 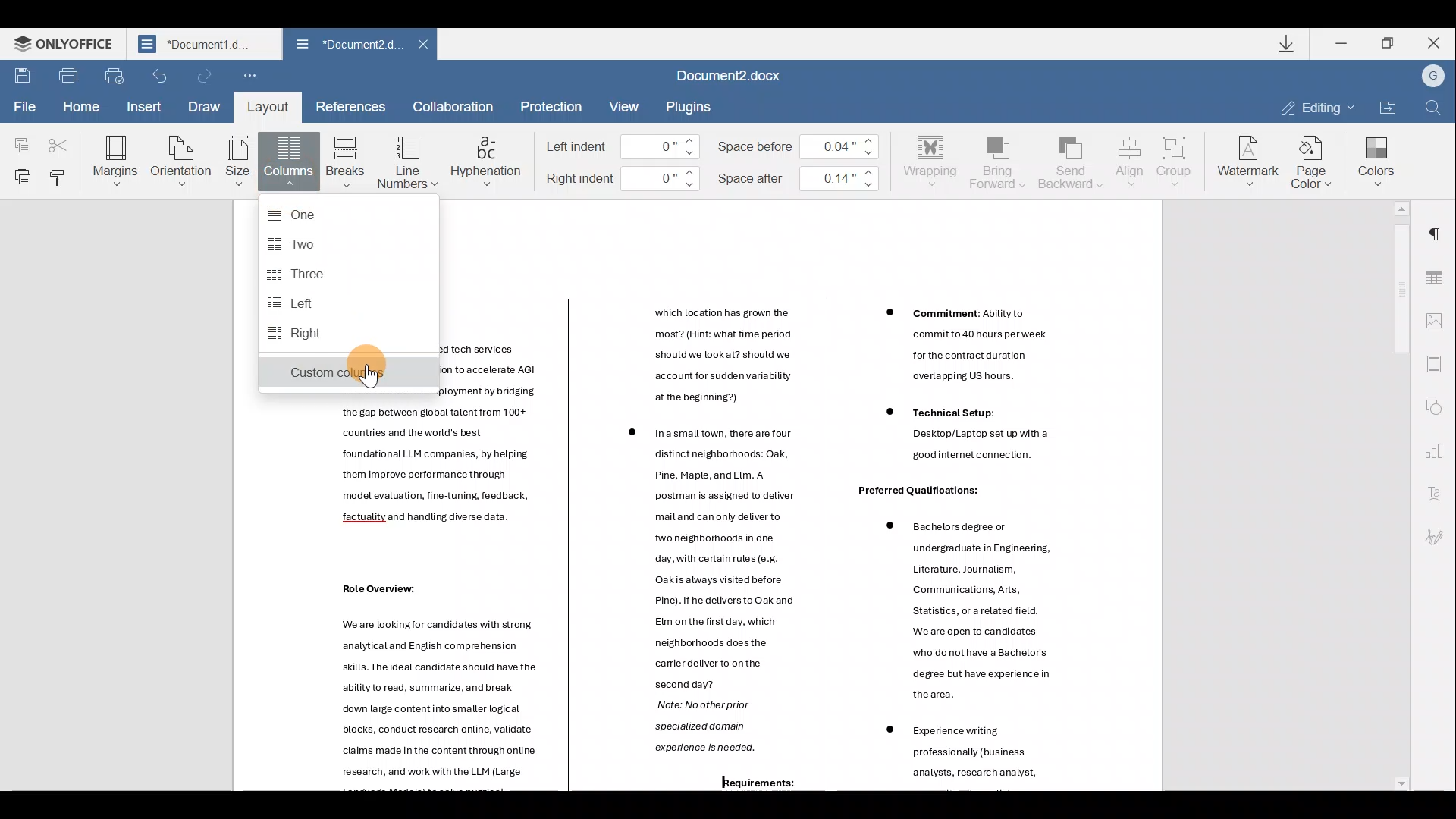 What do you see at coordinates (291, 165) in the screenshot?
I see `Column` at bounding box center [291, 165].